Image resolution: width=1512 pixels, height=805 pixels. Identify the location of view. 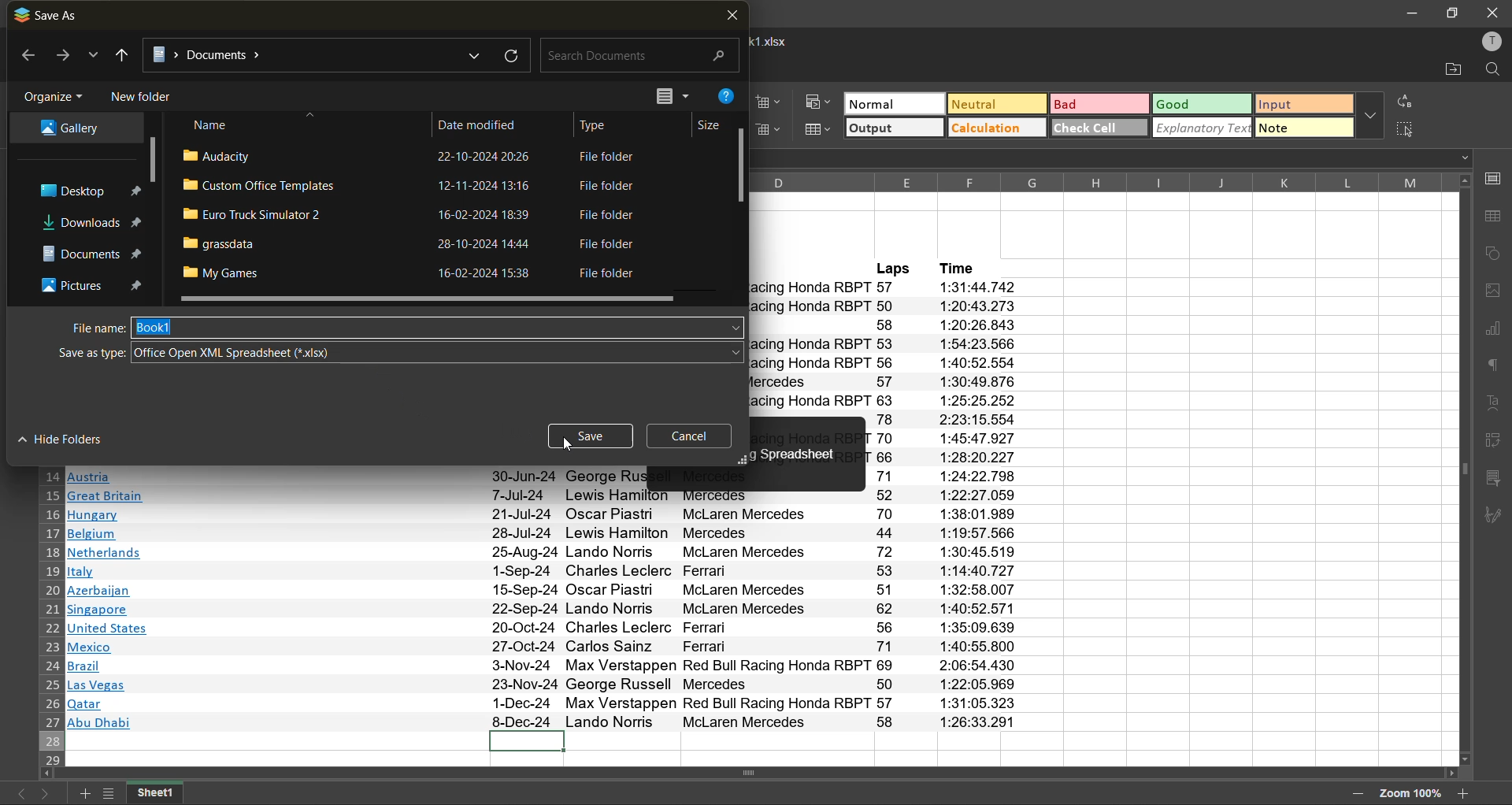
(670, 95).